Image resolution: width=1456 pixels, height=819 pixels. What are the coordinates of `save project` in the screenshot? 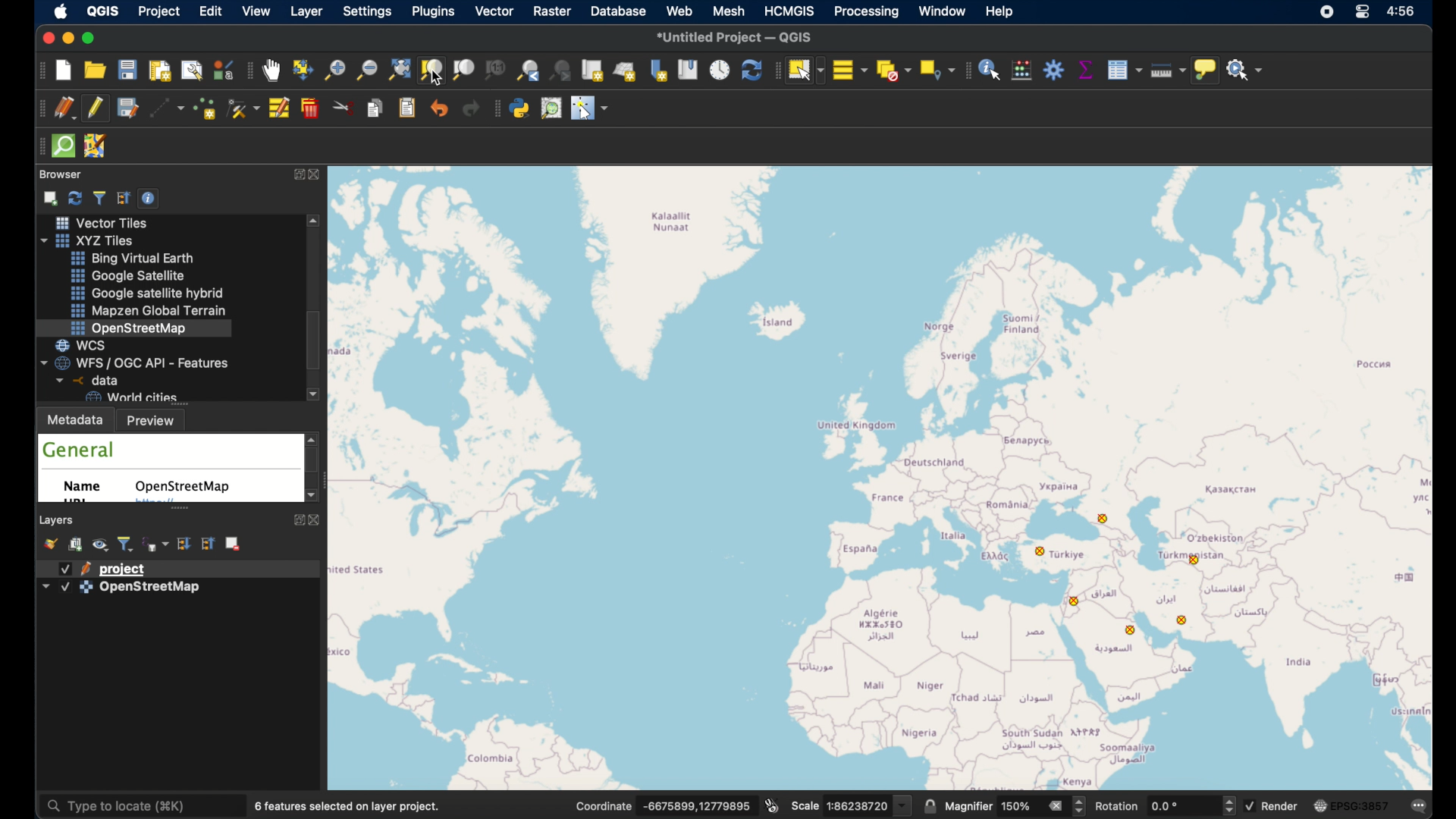 It's located at (128, 70).